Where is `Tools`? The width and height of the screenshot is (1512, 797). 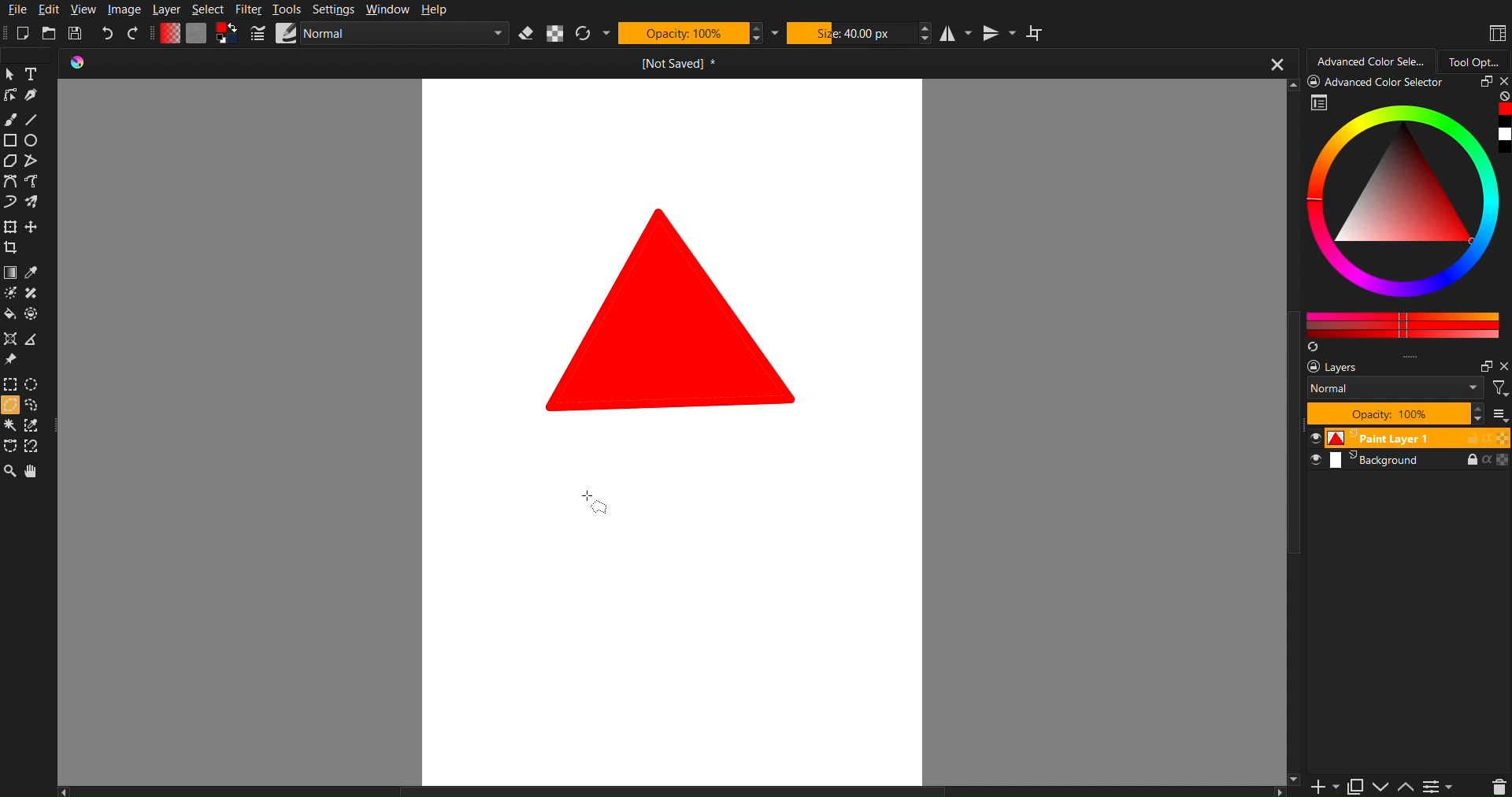
Tools is located at coordinates (289, 10).